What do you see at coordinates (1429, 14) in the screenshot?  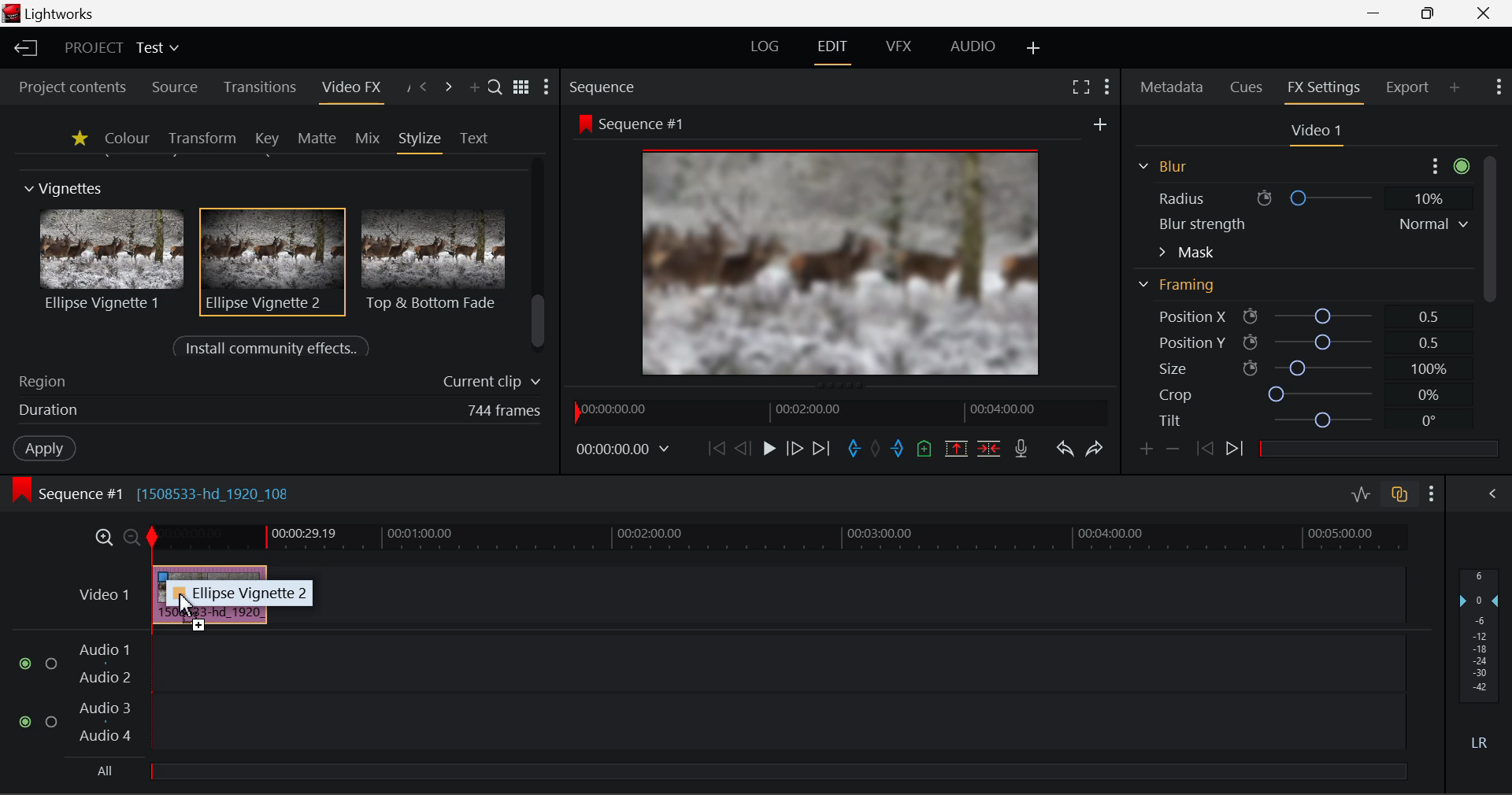 I see `Minimize` at bounding box center [1429, 14].